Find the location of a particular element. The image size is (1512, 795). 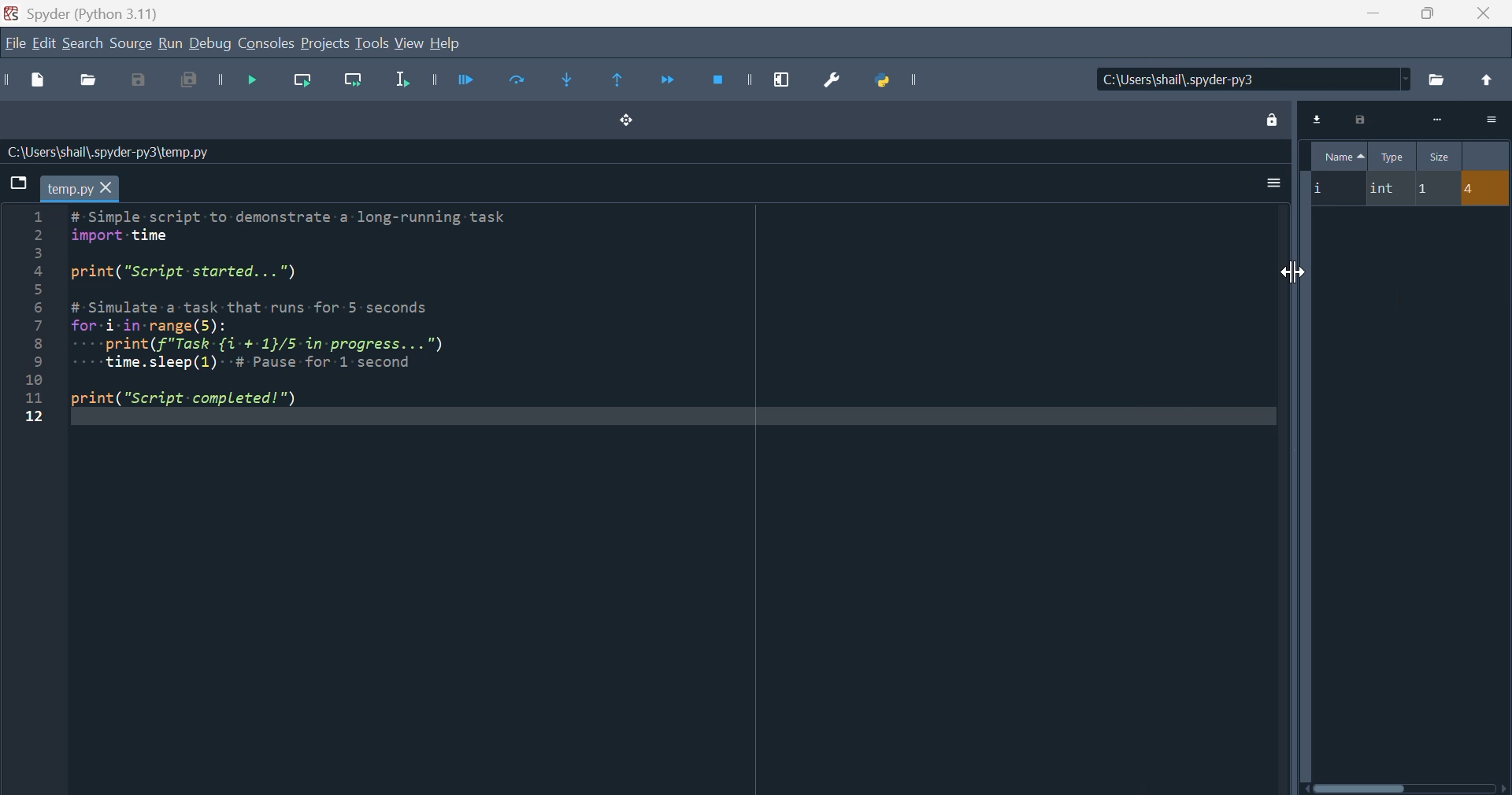

C:\Users\shail\.spyder-py3\temp.py is located at coordinates (110, 152).